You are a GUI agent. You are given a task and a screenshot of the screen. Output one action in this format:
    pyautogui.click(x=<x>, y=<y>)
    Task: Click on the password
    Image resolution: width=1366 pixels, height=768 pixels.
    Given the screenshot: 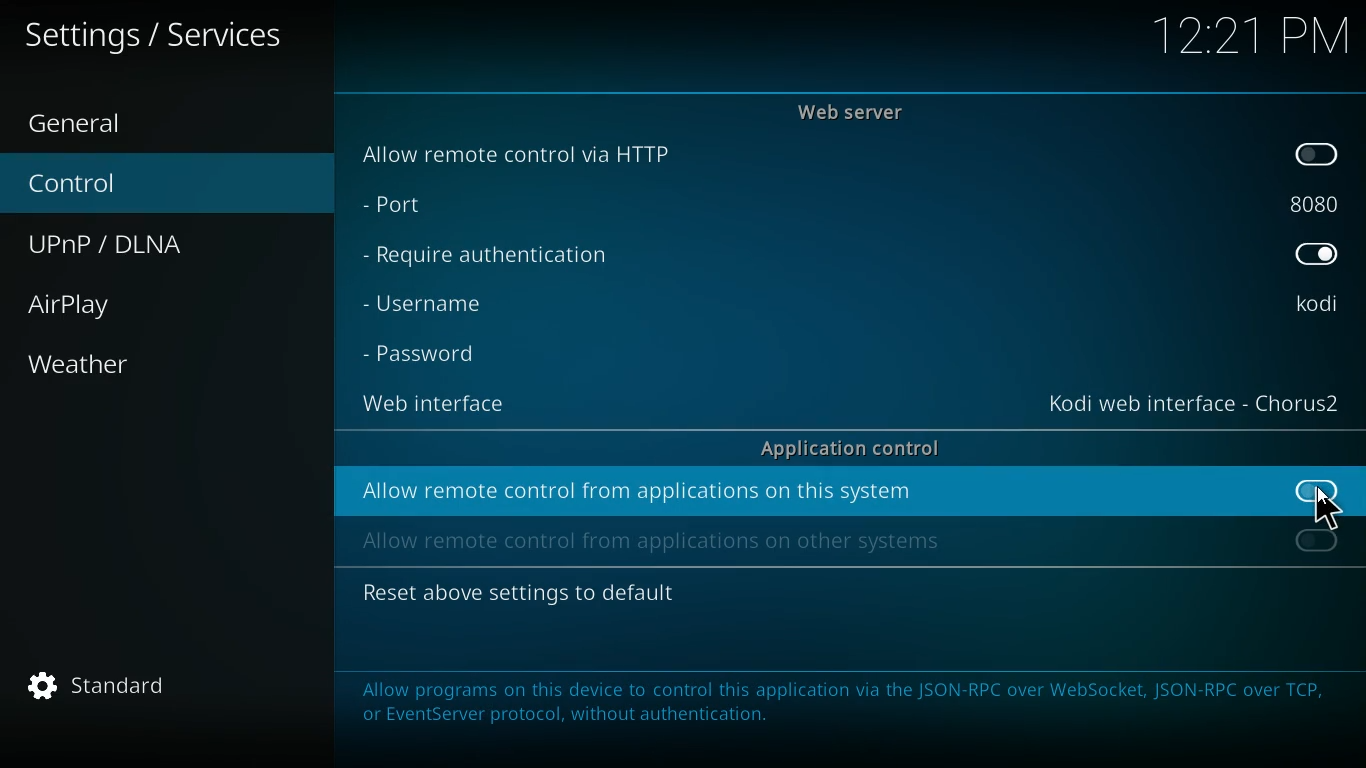 What is the action you would take?
    pyautogui.click(x=426, y=354)
    